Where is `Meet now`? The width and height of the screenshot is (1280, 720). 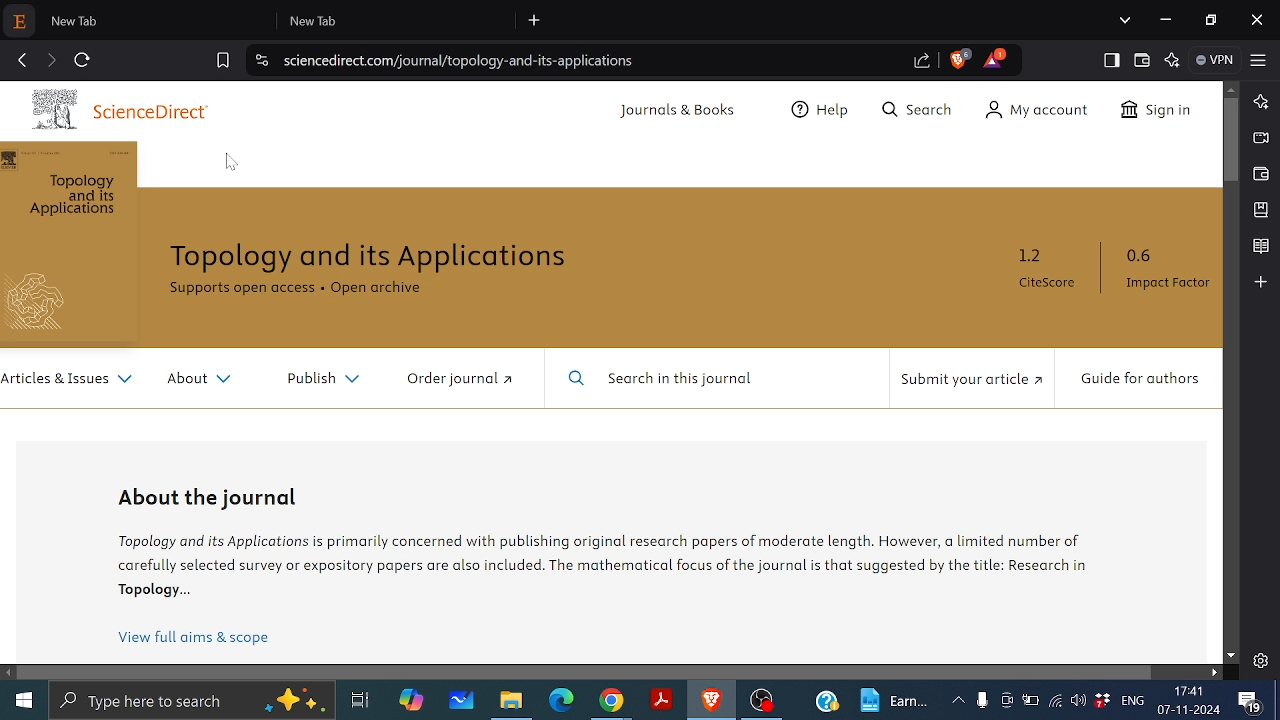 Meet now is located at coordinates (1006, 700).